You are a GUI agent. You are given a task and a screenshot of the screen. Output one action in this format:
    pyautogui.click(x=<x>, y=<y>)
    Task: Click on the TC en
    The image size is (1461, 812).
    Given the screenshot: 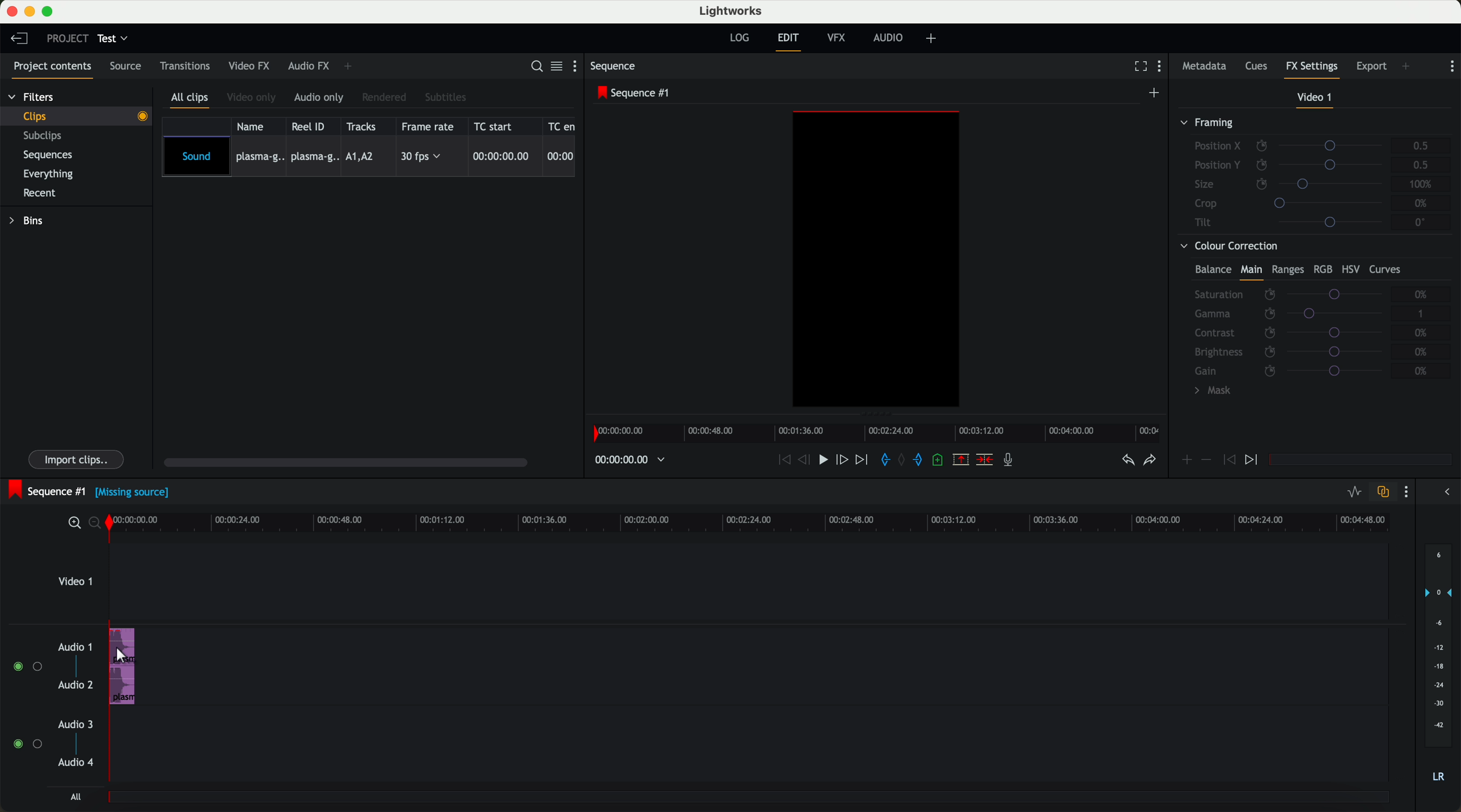 What is the action you would take?
    pyautogui.click(x=562, y=125)
    